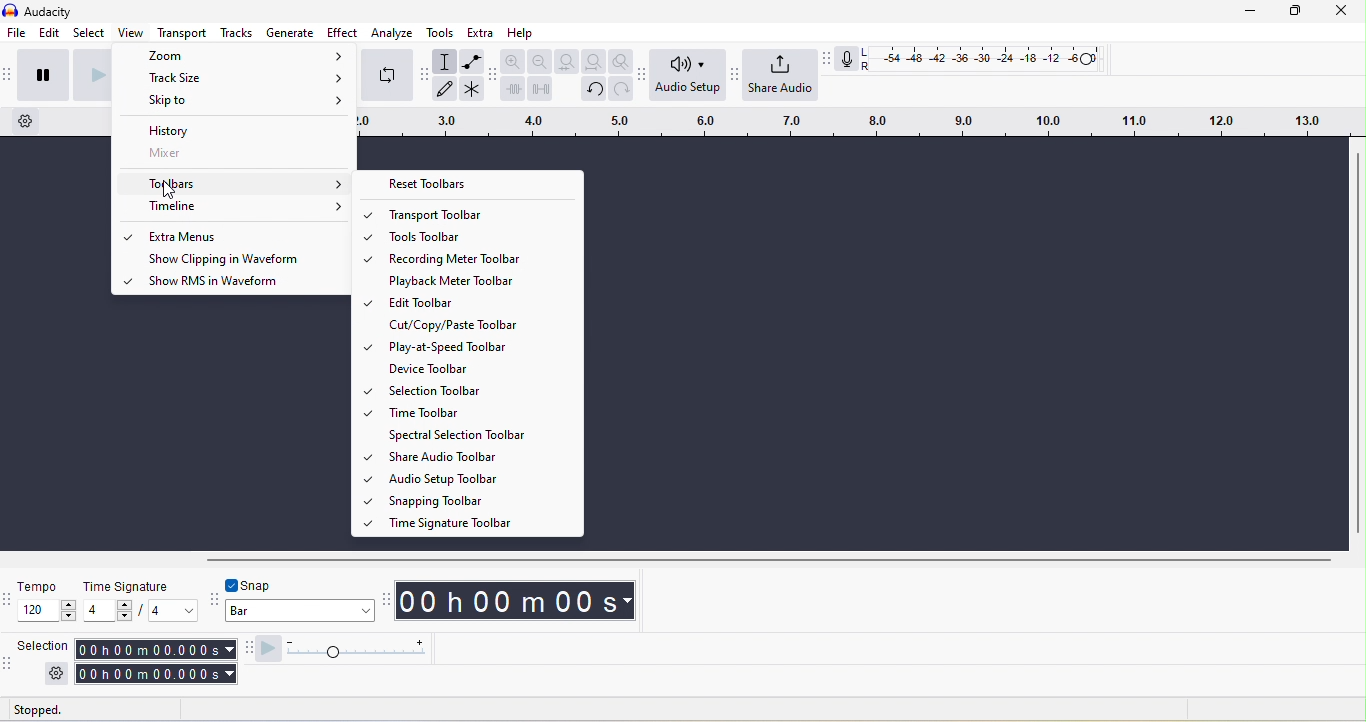 Image resolution: width=1366 pixels, height=722 pixels. What do you see at coordinates (108, 610) in the screenshot?
I see `set time signature` at bounding box center [108, 610].